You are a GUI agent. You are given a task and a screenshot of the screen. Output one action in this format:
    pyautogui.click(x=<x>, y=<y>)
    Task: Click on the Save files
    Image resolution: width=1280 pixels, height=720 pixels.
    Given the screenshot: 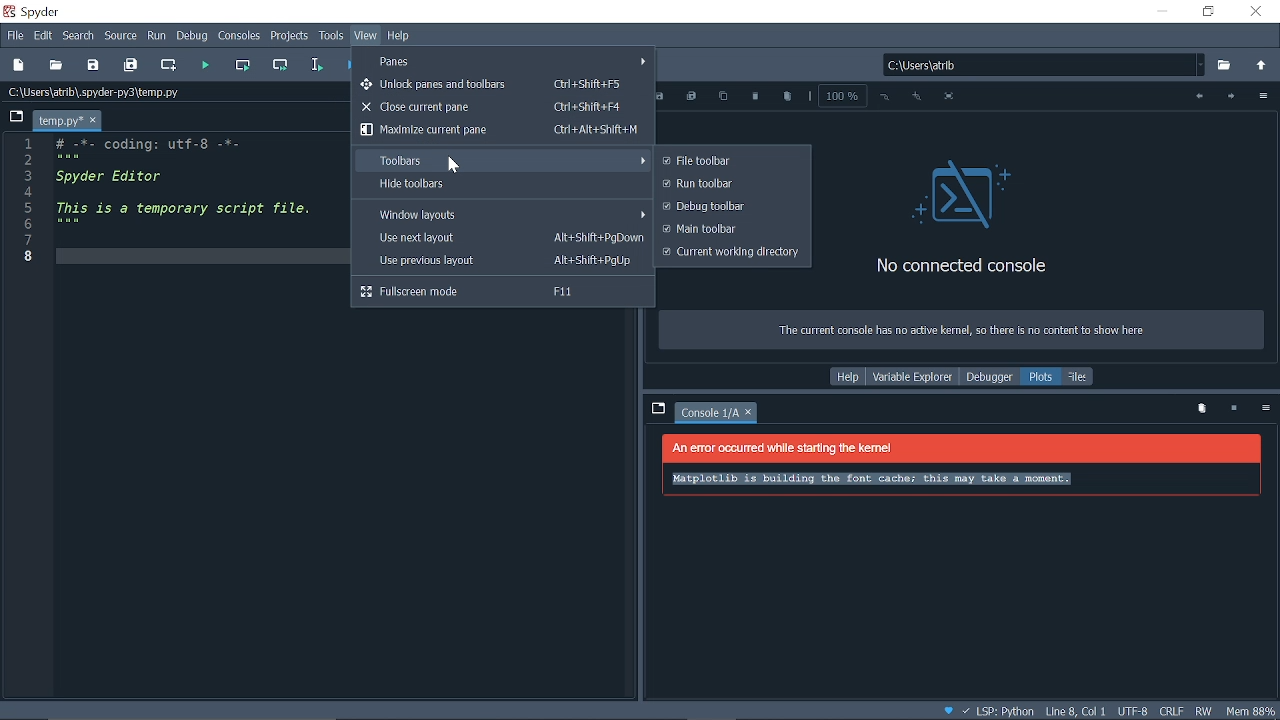 What is the action you would take?
    pyautogui.click(x=94, y=64)
    